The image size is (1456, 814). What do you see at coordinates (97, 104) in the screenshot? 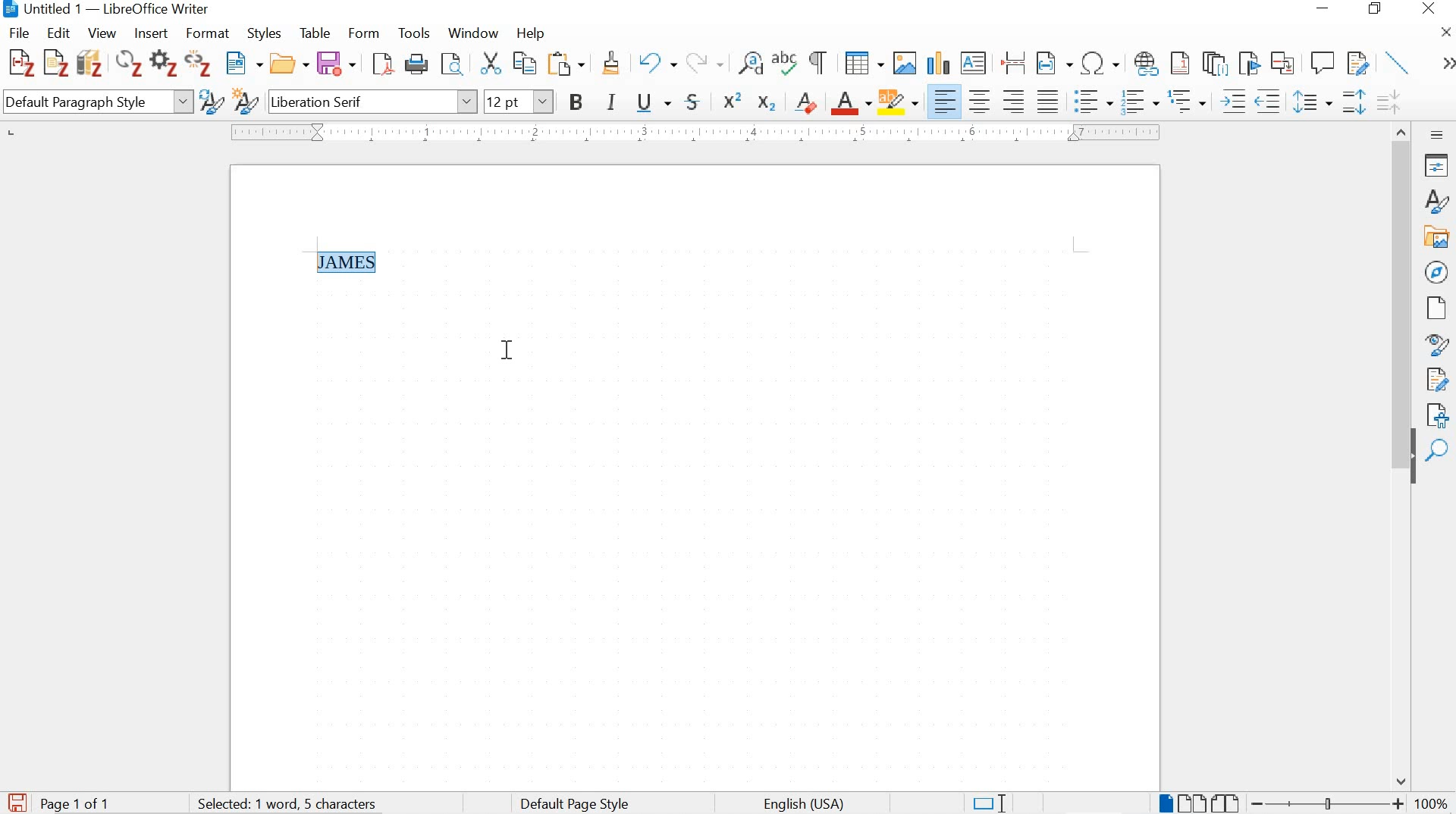
I see `set paragraph style` at bounding box center [97, 104].